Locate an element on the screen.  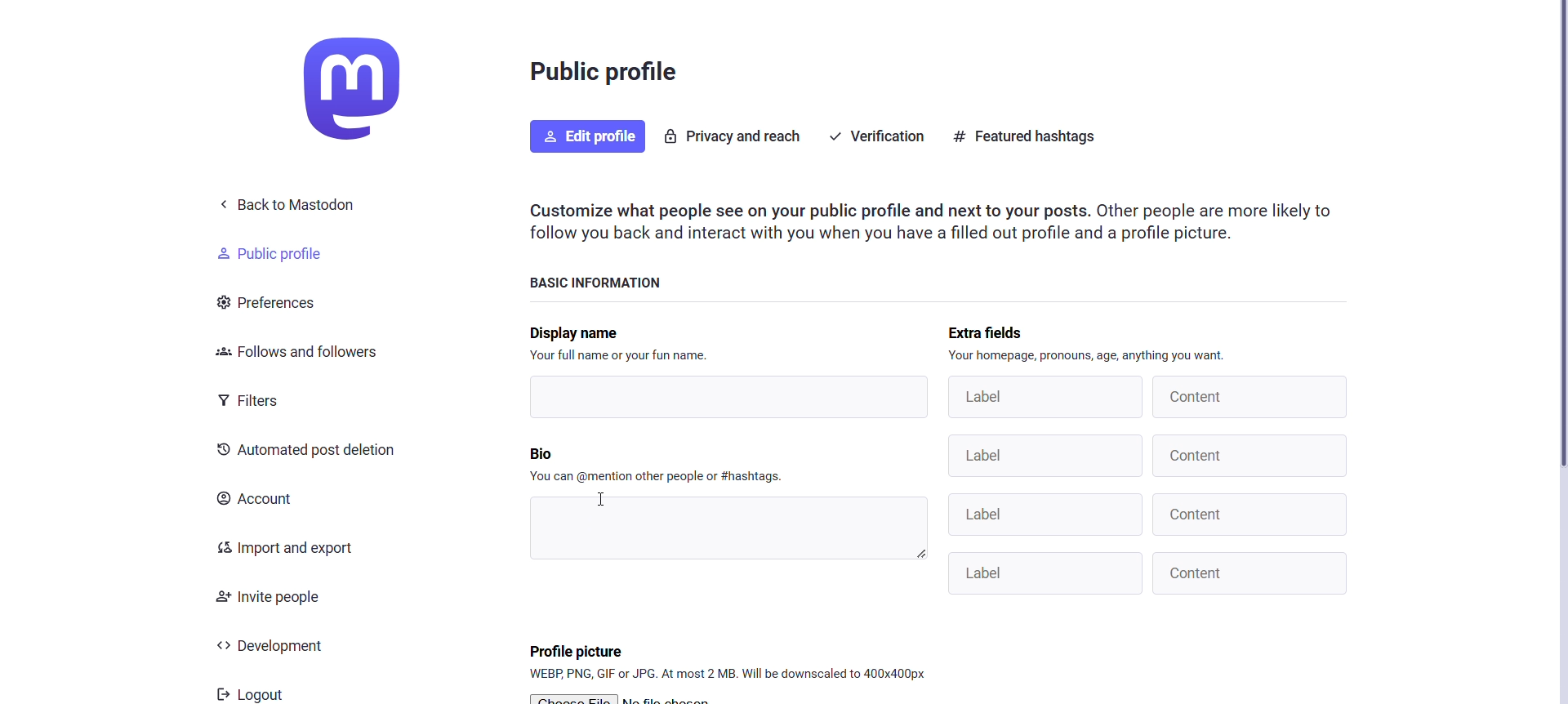
Display name
Your full name or your fun name. is located at coordinates (626, 344).